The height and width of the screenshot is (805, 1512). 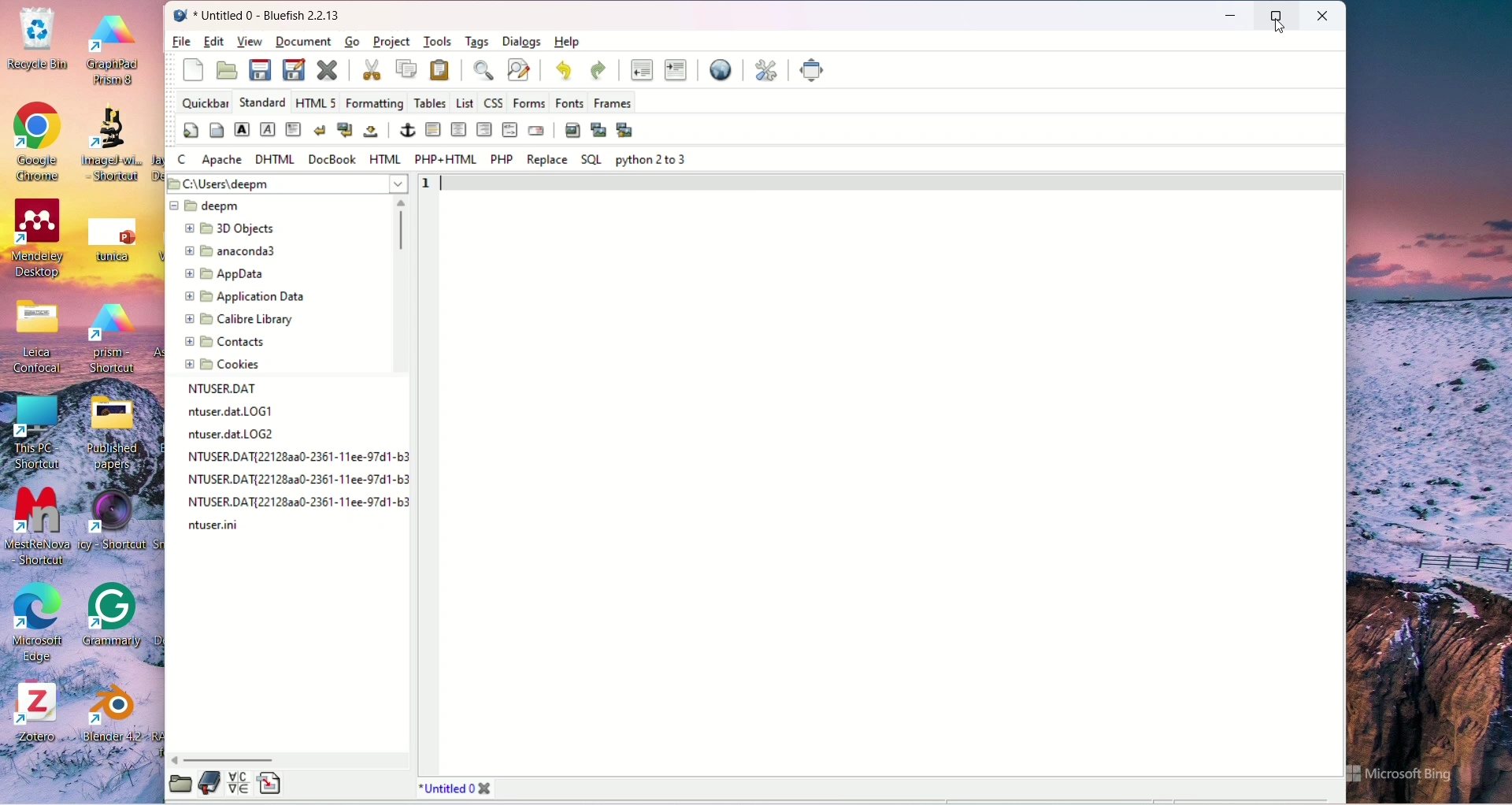 I want to click on documentation, so click(x=209, y=782).